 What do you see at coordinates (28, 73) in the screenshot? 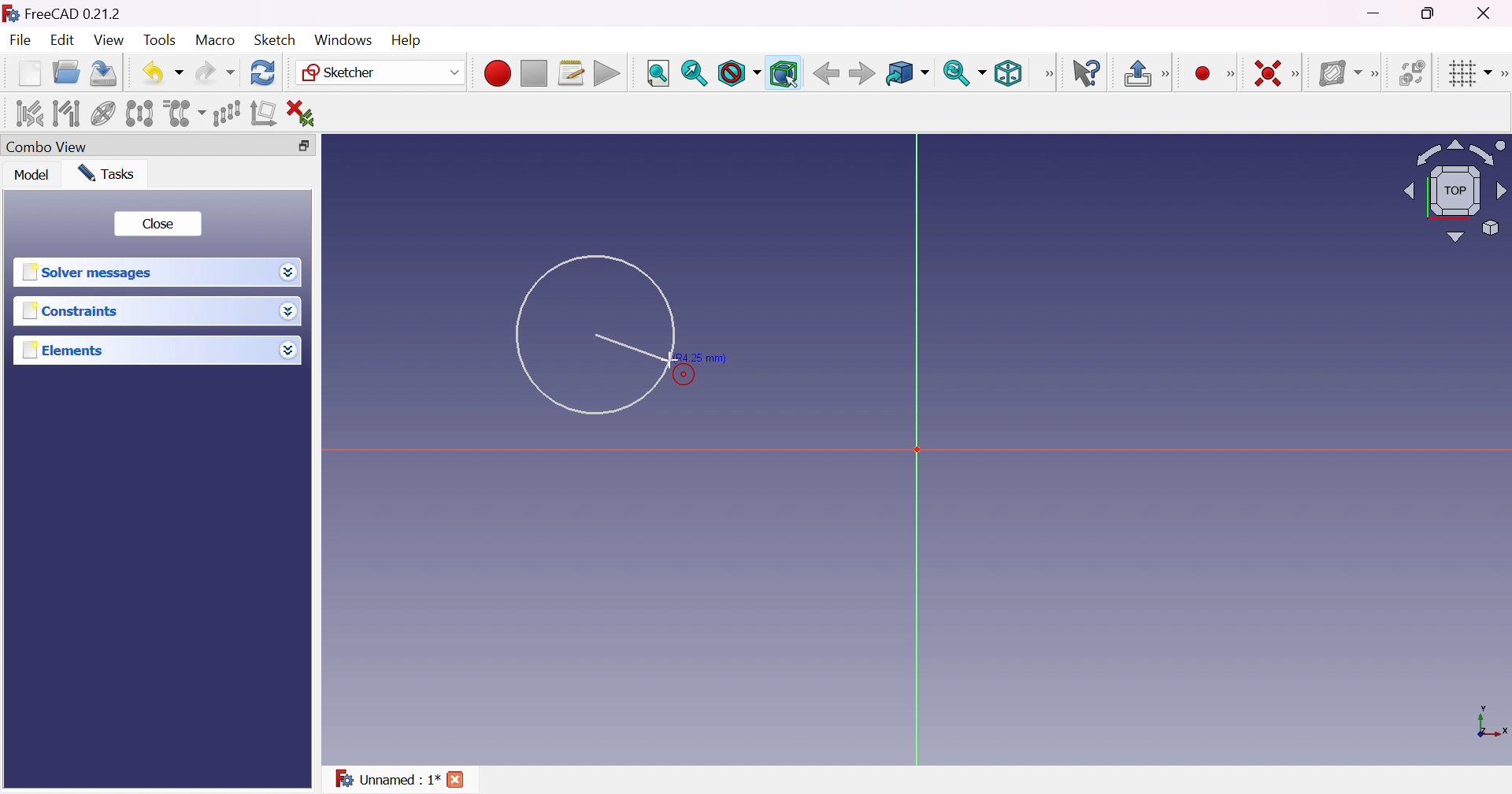
I see `New` at bounding box center [28, 73].